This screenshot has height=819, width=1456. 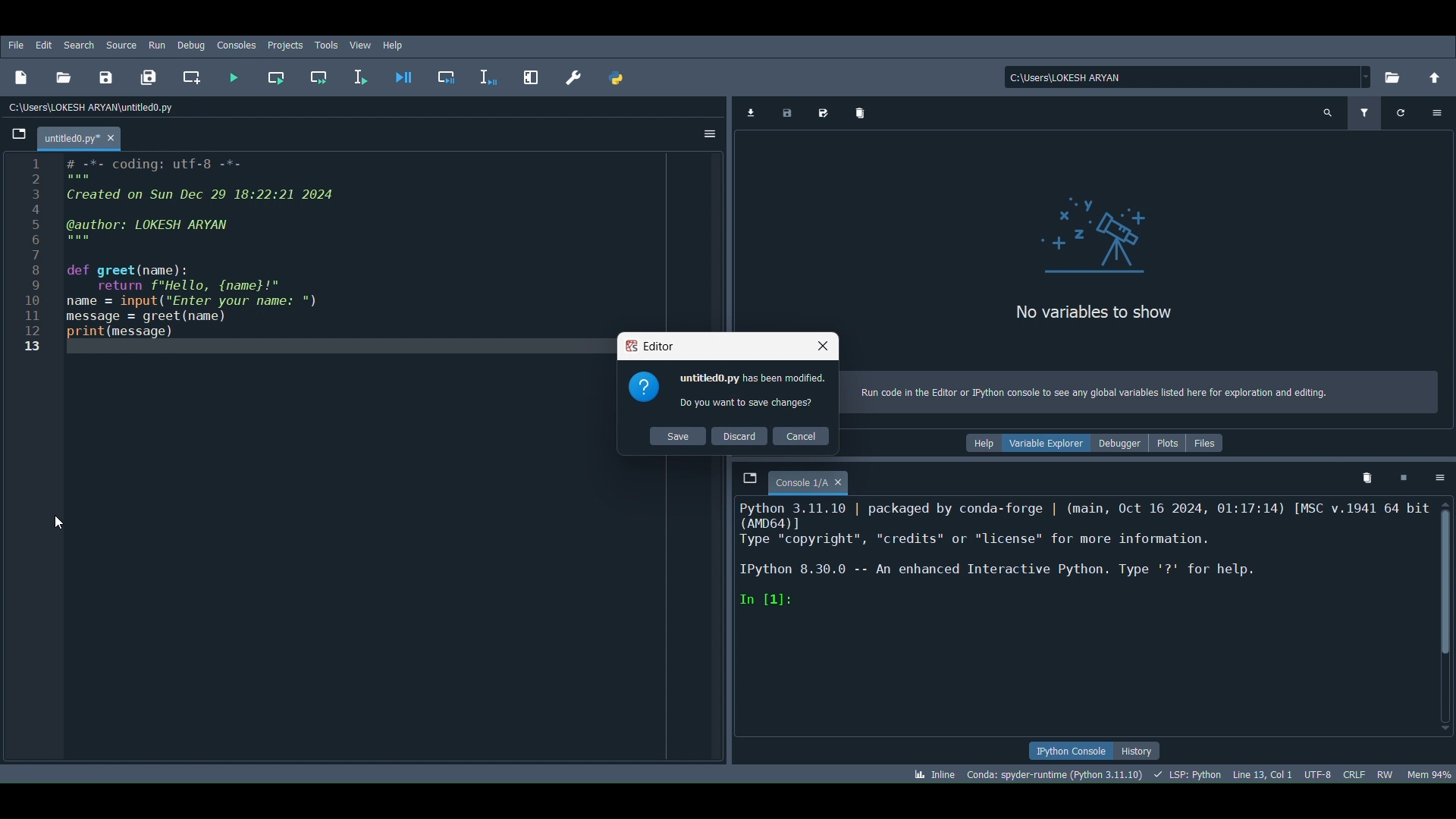 What do you see at coordinates (15, 133) in the screenshot?
I see `Browse tabs` at bounding box center [15, 133].